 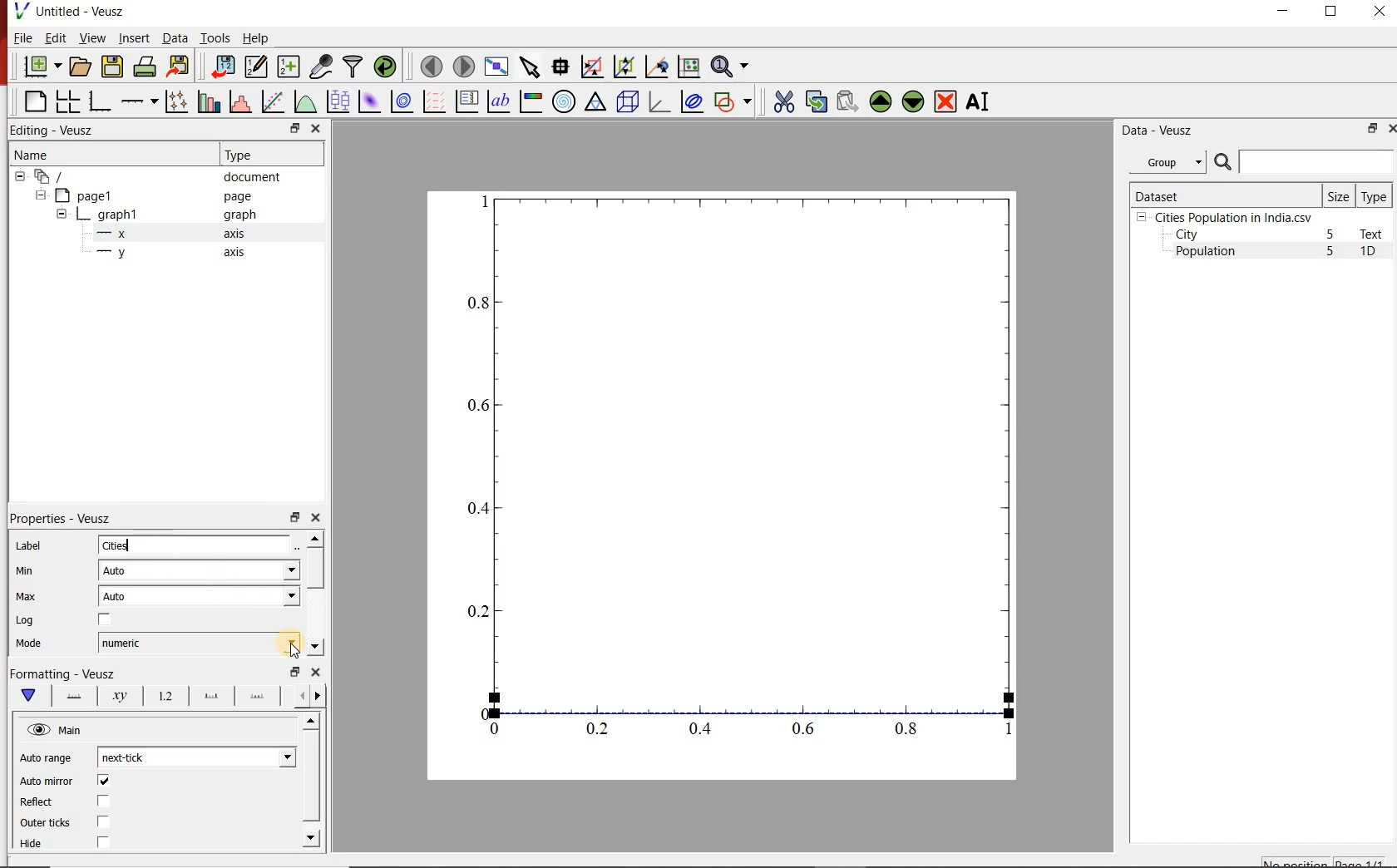 What do you see at coordinates (39, 67) in the screenshot?
I see `new document` at bounding box center [39, 67].